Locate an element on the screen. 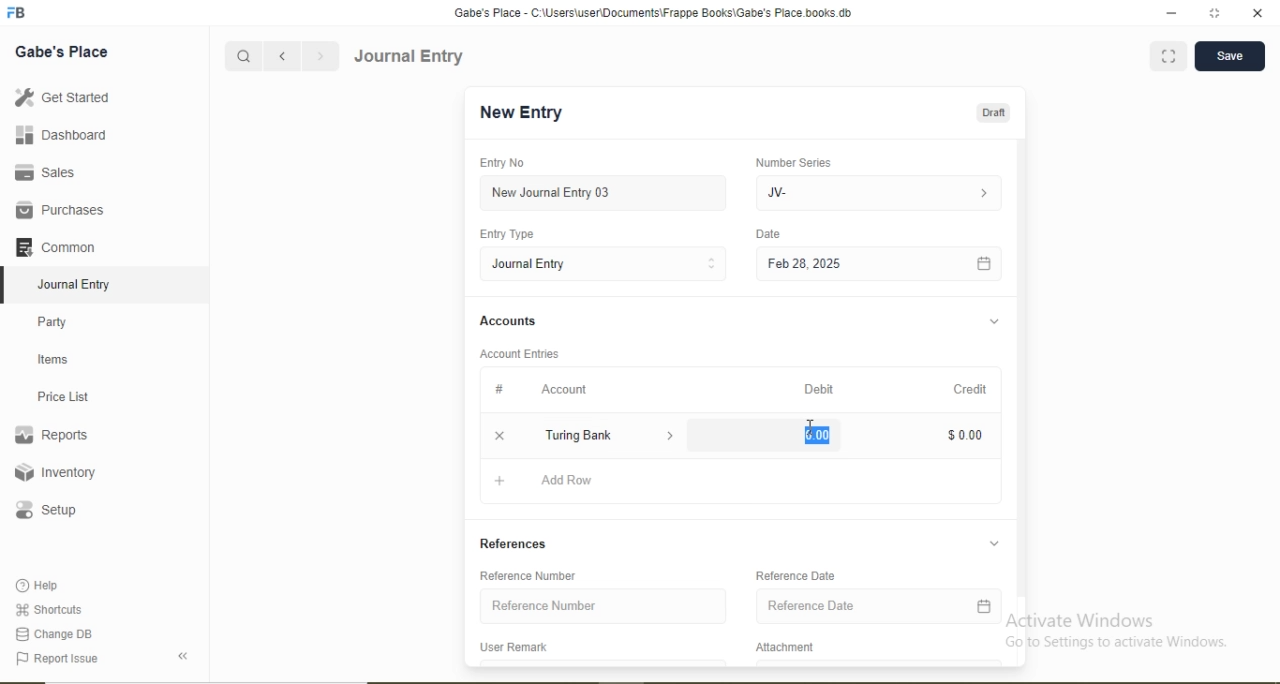 This screenshot has height=684, width=1280. Add Row is located at coordinates (567, 479).